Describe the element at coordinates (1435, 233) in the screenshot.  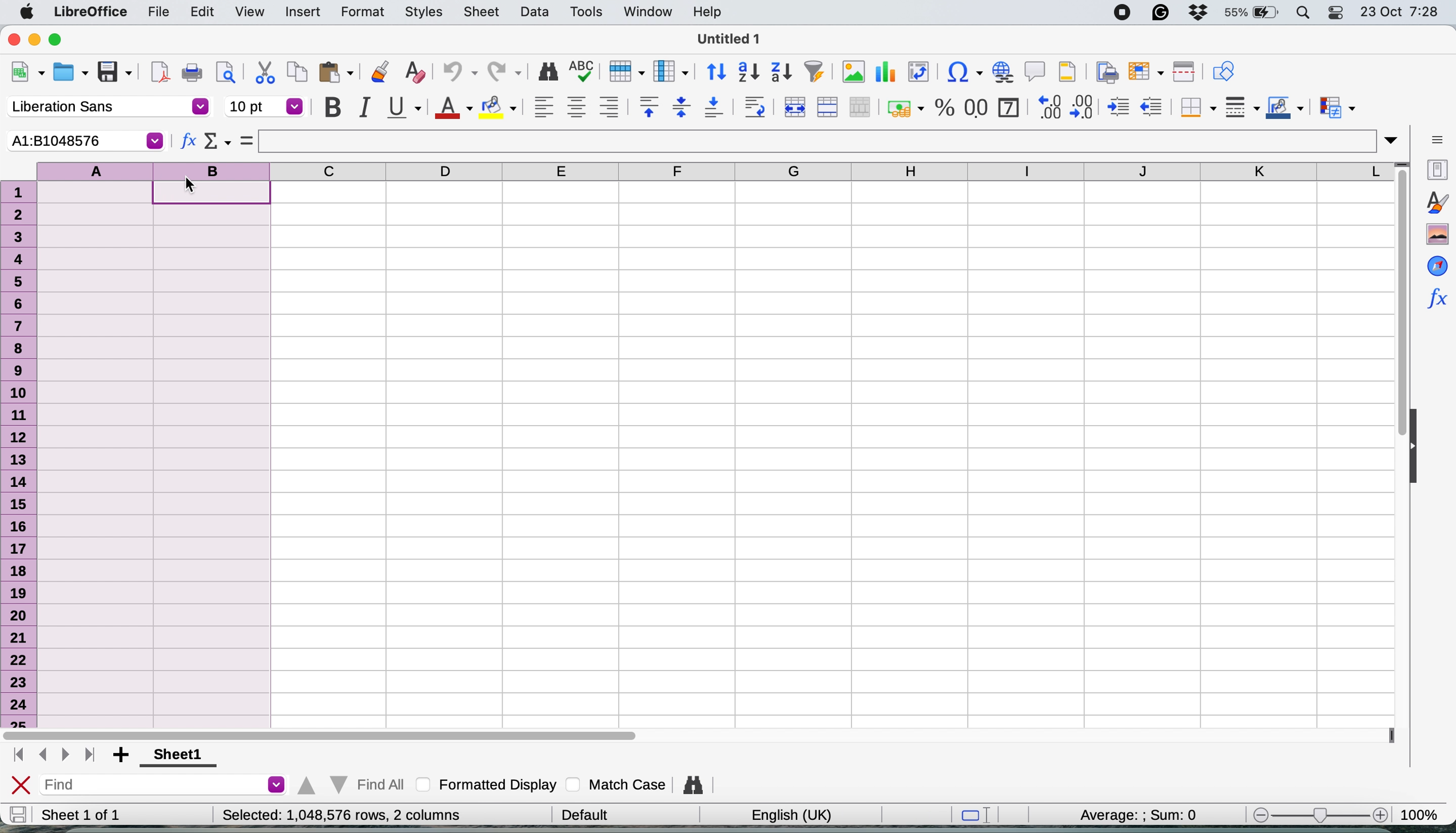
I see `gallery` at that location.